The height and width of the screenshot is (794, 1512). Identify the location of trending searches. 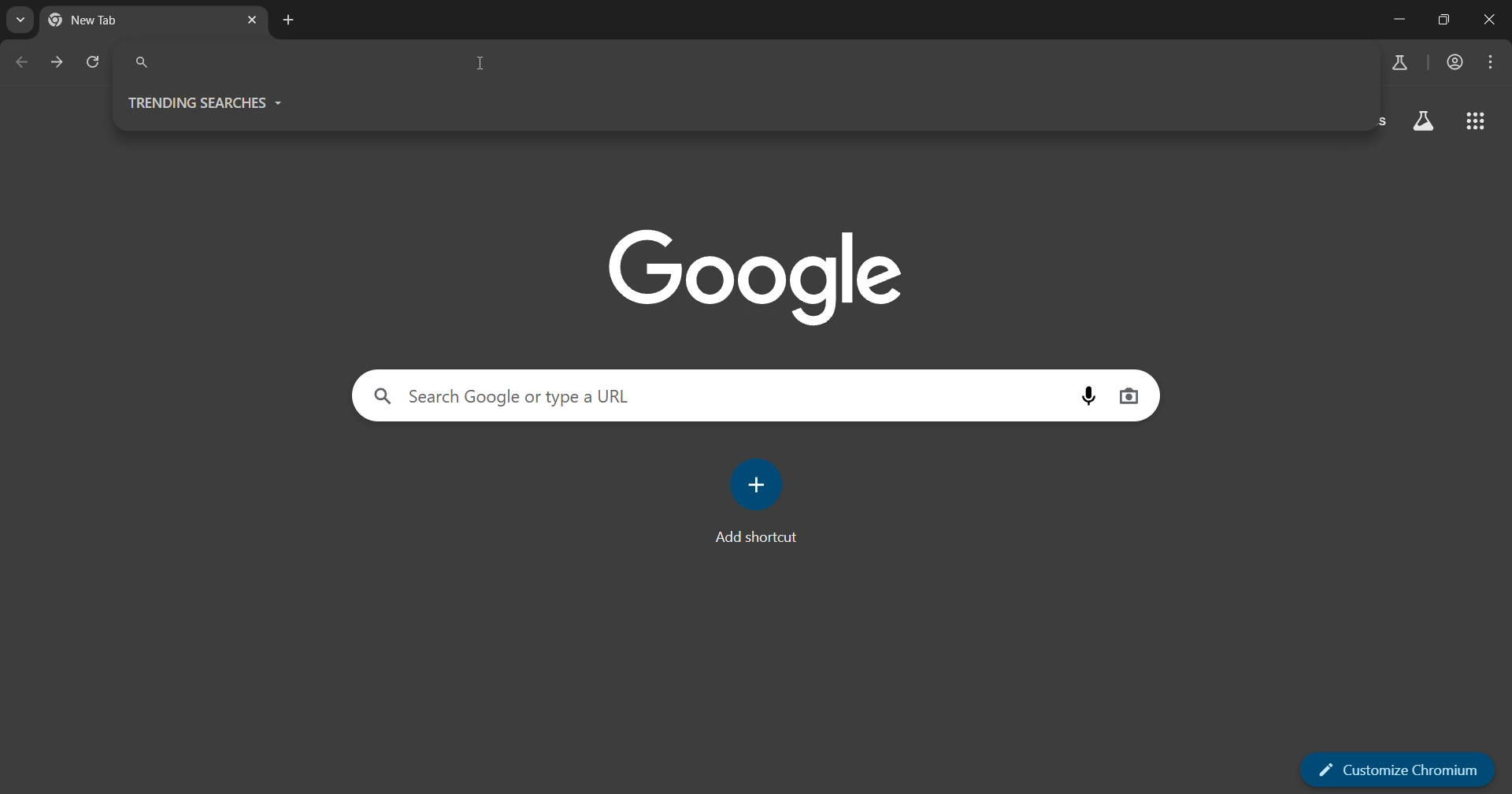
(217, 101).